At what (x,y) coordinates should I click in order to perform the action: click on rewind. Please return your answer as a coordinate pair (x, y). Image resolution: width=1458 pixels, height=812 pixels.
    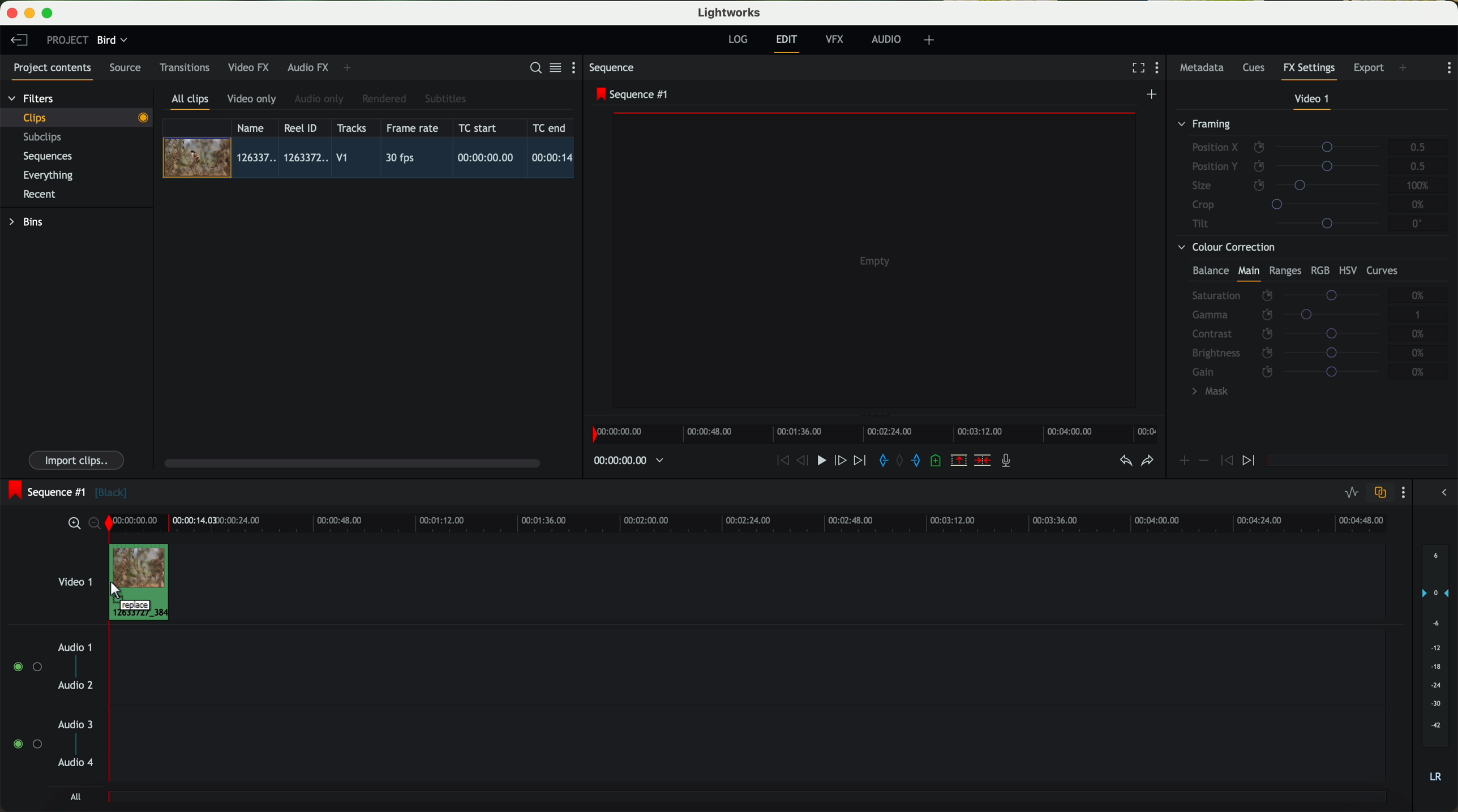
    Looking at the image, I should click on (782, 461).